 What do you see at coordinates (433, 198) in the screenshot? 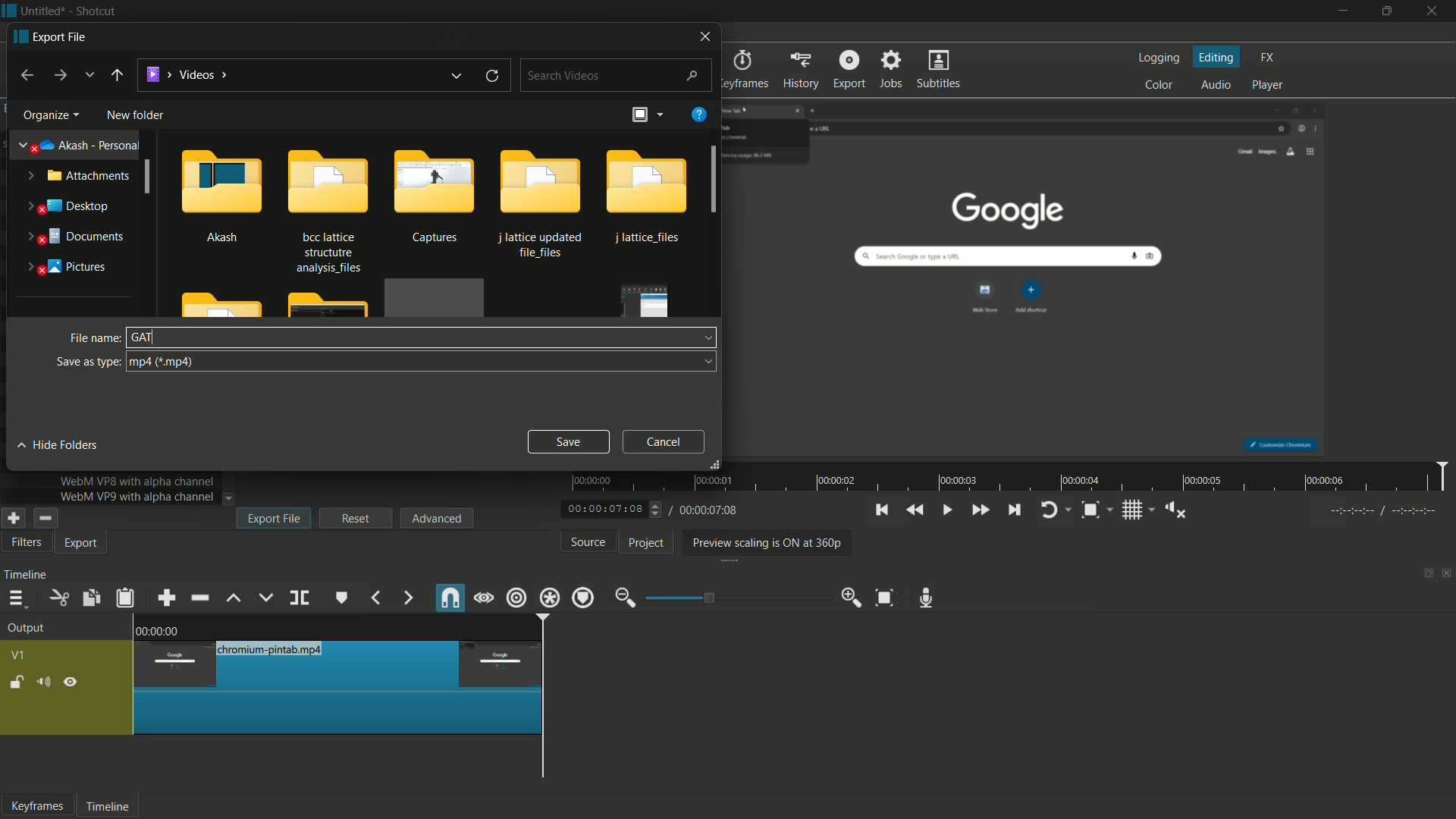
I see `folder-3` at bounding box center [433, 198].